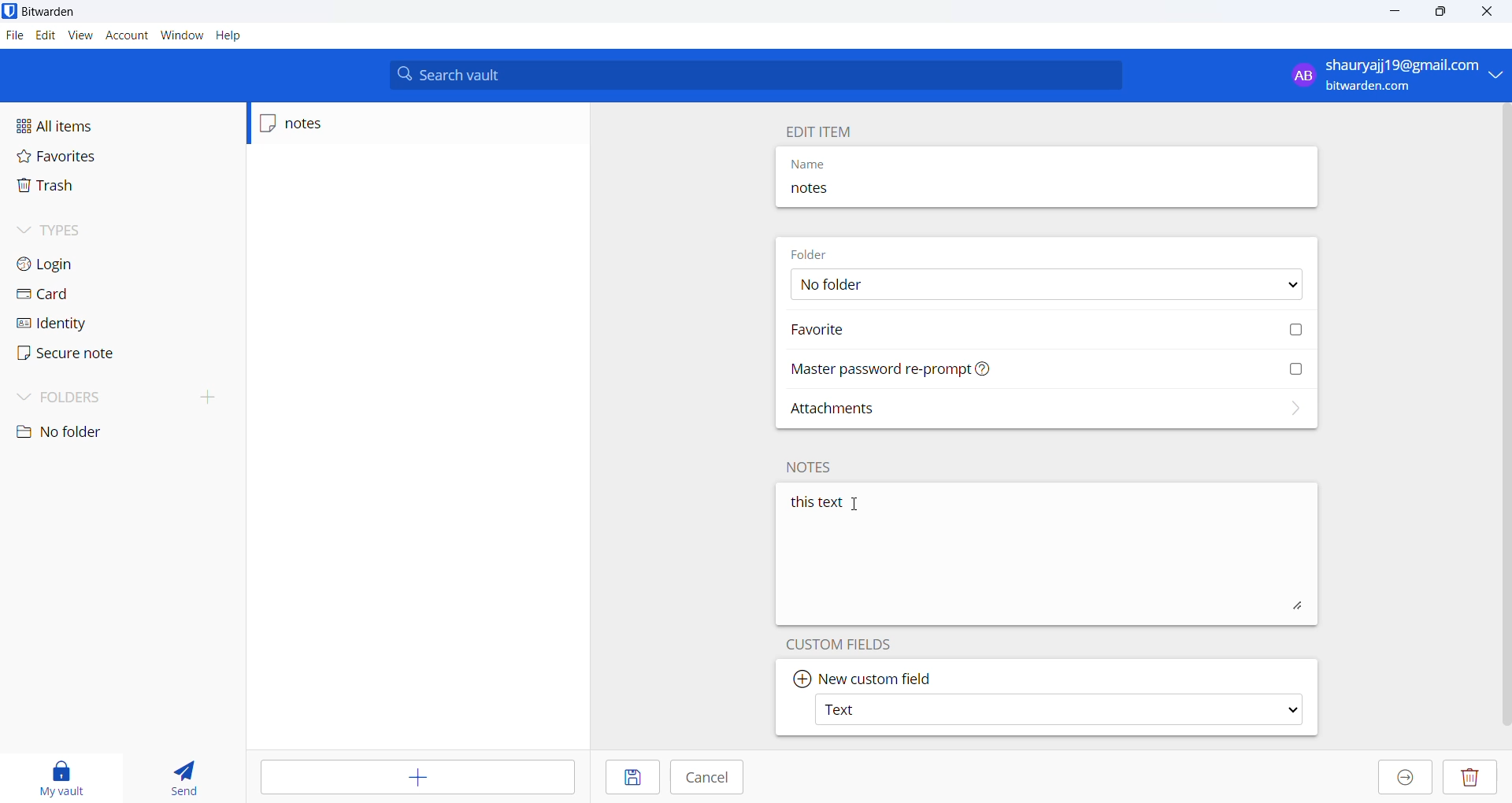 The image size is (1512, 803). What do you see at coordinates (758, 75) in the screenshot?
I see `search vault` at bounding box center [758, 75].